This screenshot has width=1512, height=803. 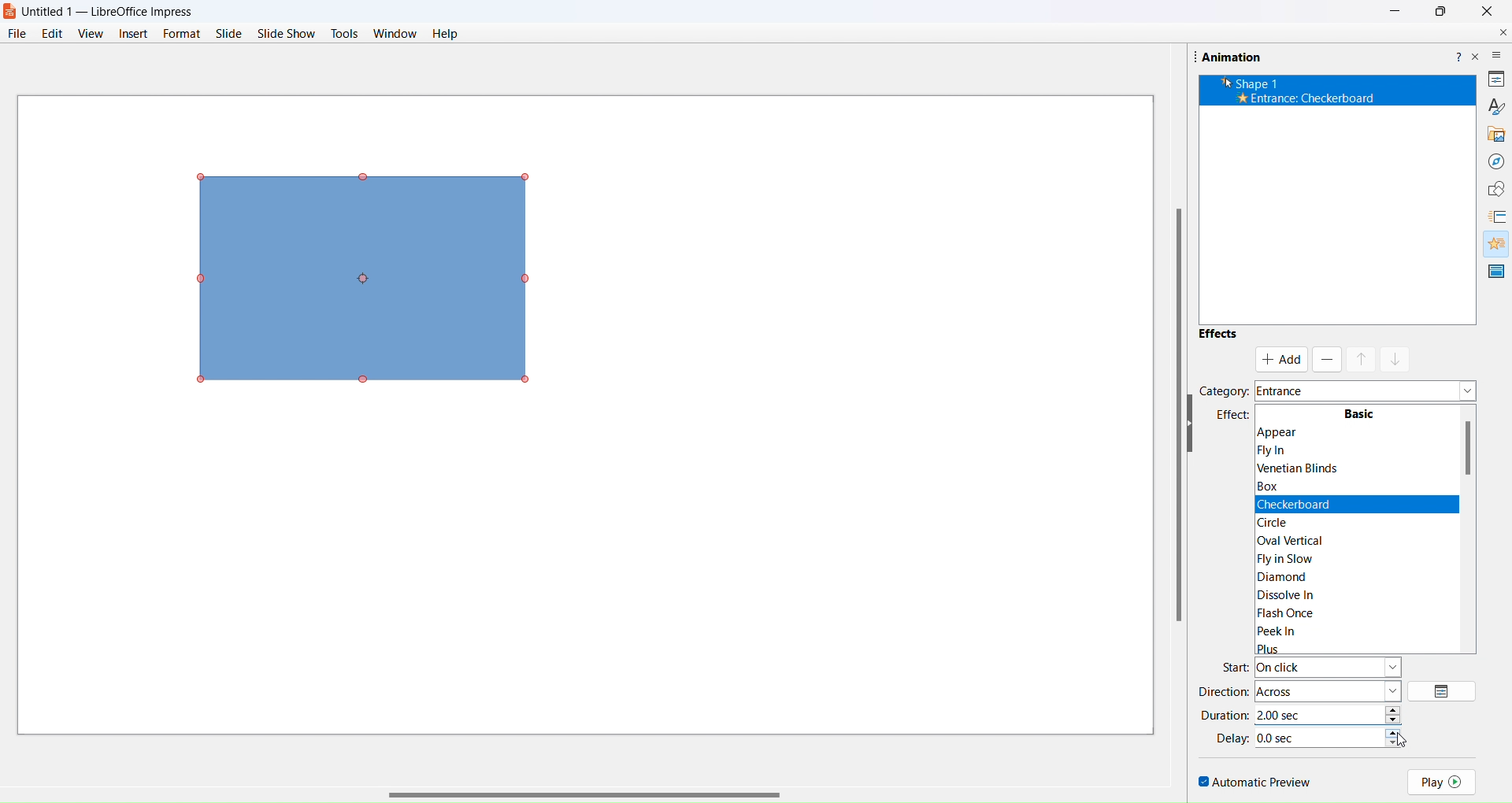 What do you see at coordinates (1275, 485) in the screenshot?
I see `Box` at bounding box center [1275, 485].